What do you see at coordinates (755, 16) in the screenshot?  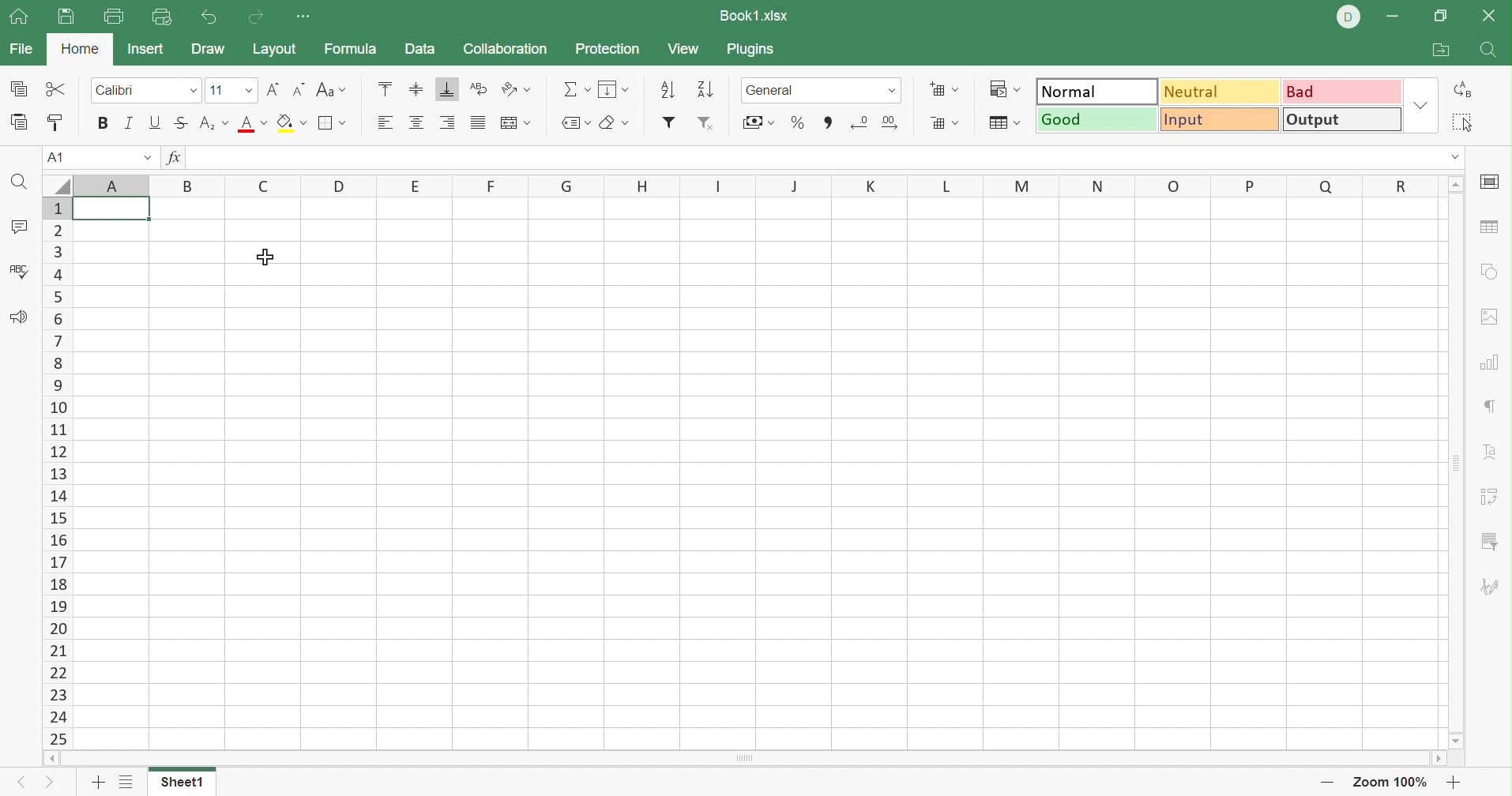 I see `Book1.xlsx` at bounding box center [755, 16].